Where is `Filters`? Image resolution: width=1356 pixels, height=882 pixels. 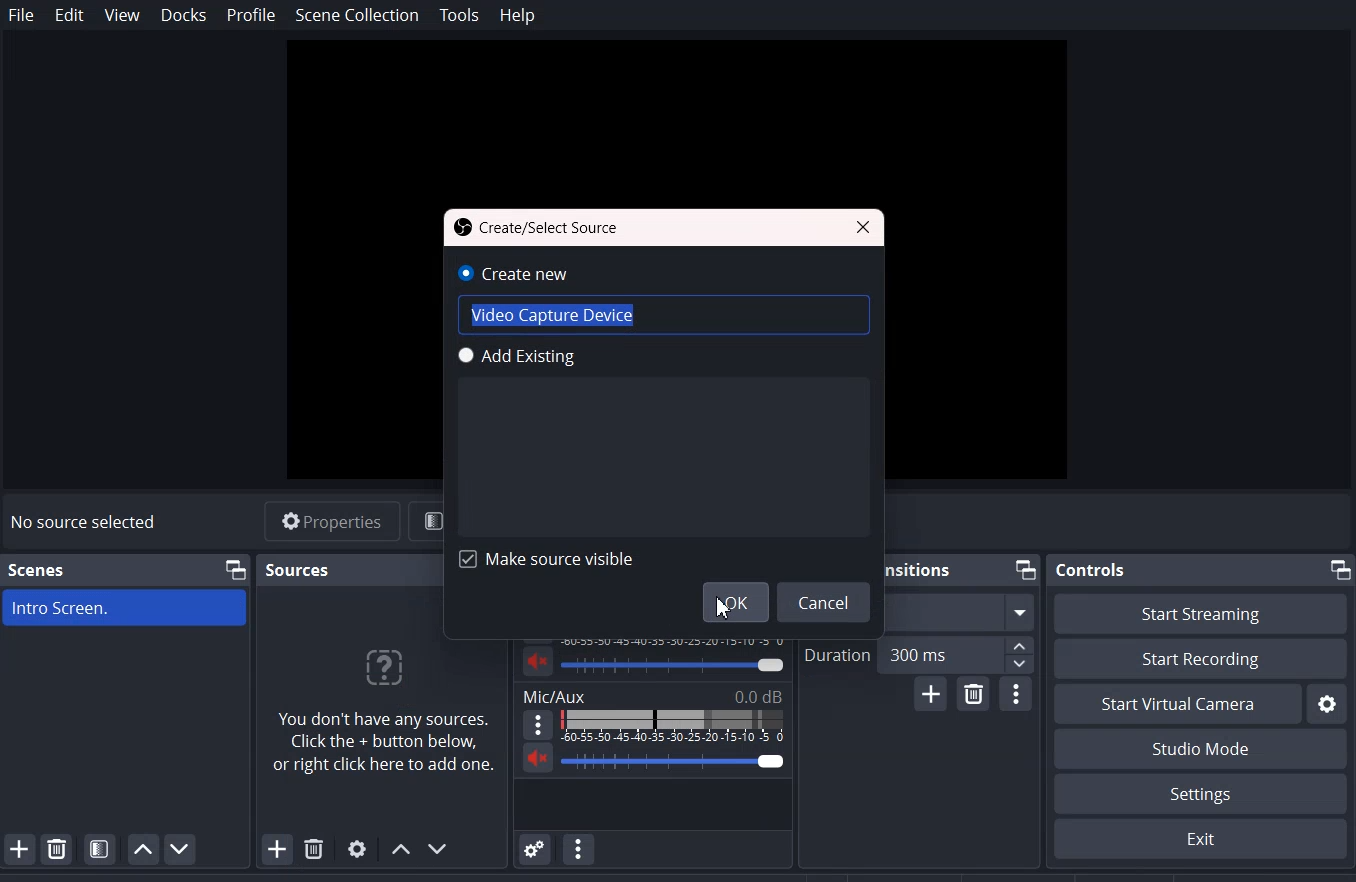 Filters is located at coordinates (429, 521).